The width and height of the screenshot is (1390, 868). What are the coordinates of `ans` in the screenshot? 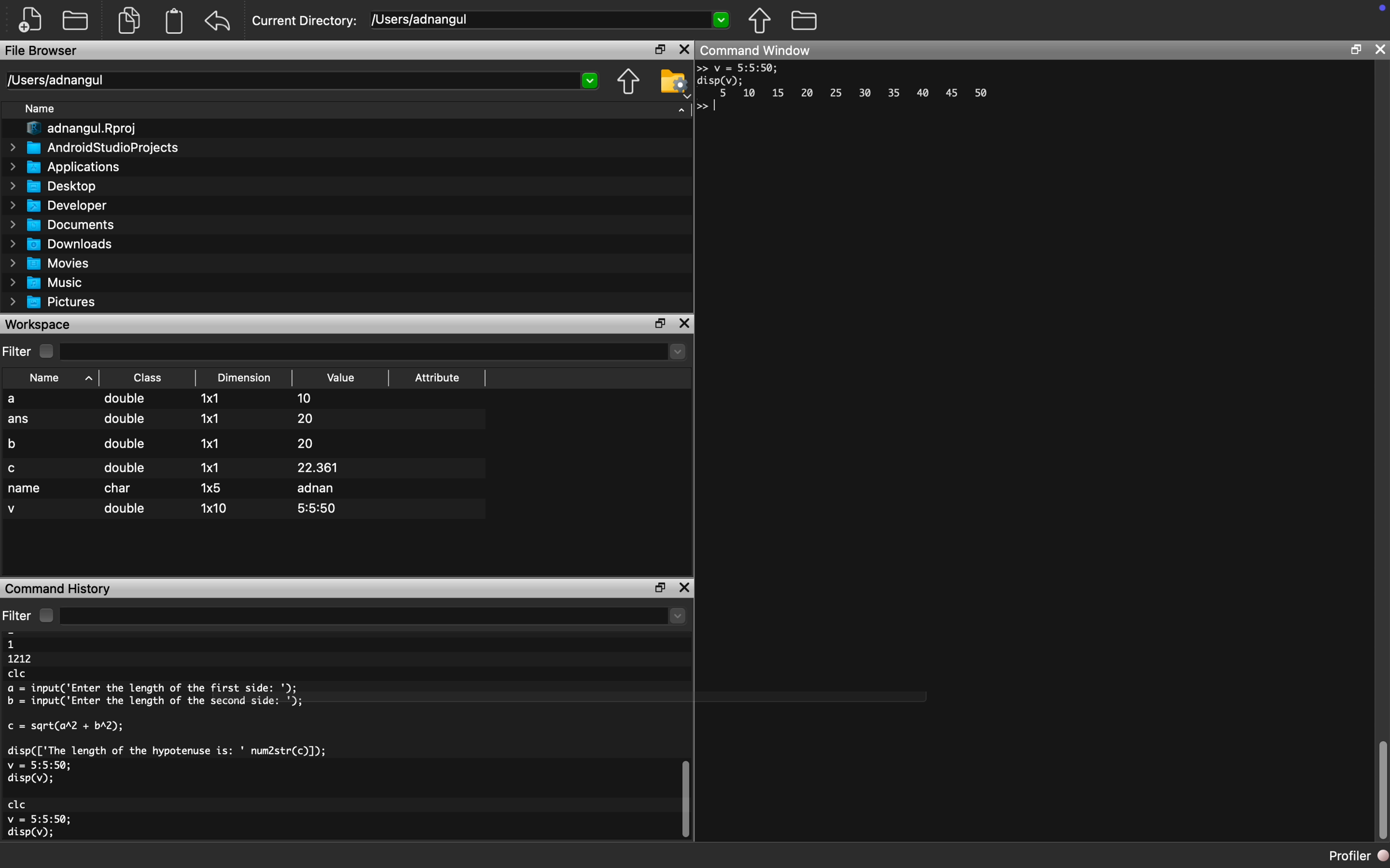 It's located at (22, 421).